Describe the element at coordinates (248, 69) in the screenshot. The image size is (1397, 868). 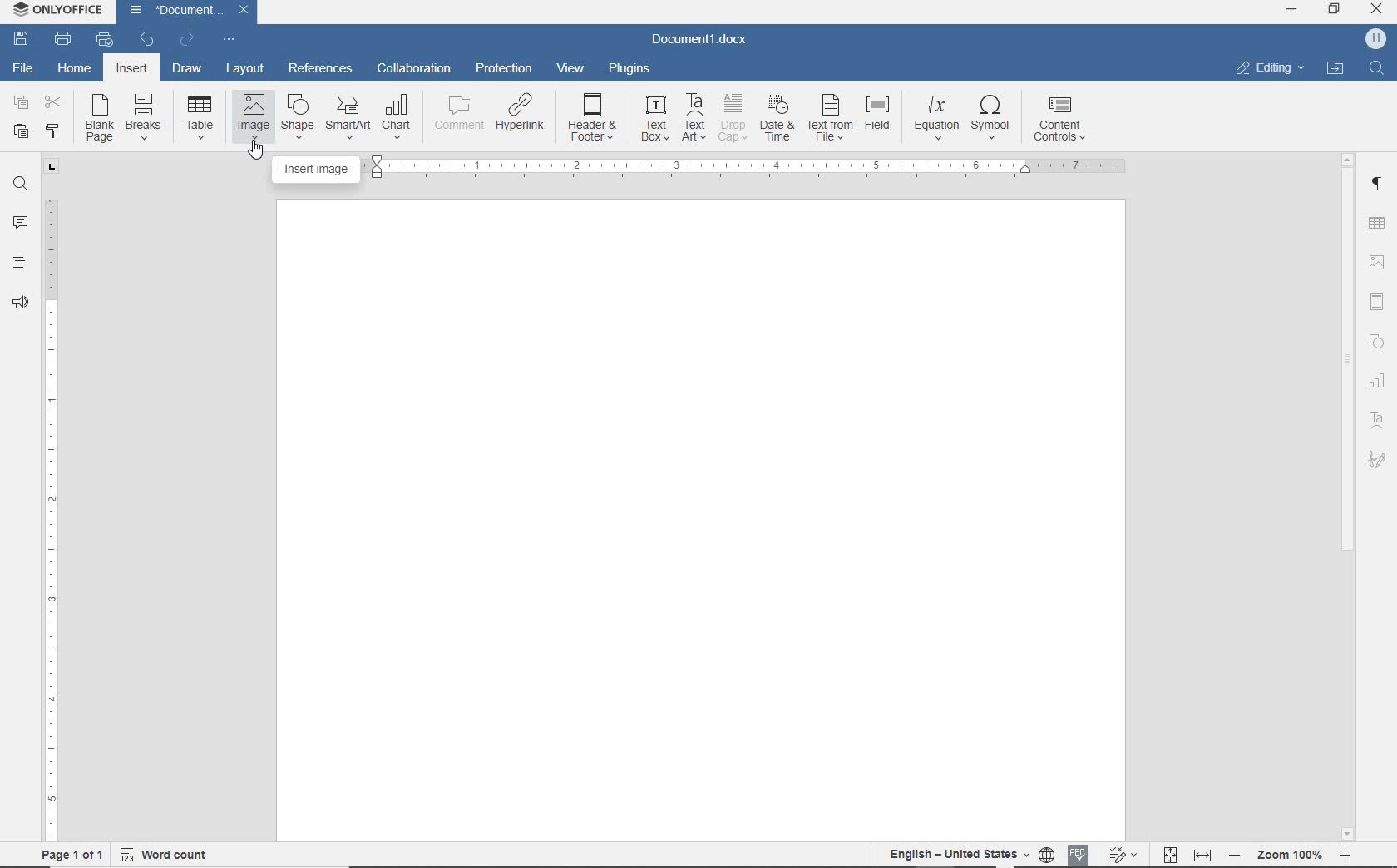
I see `layout` at that location.